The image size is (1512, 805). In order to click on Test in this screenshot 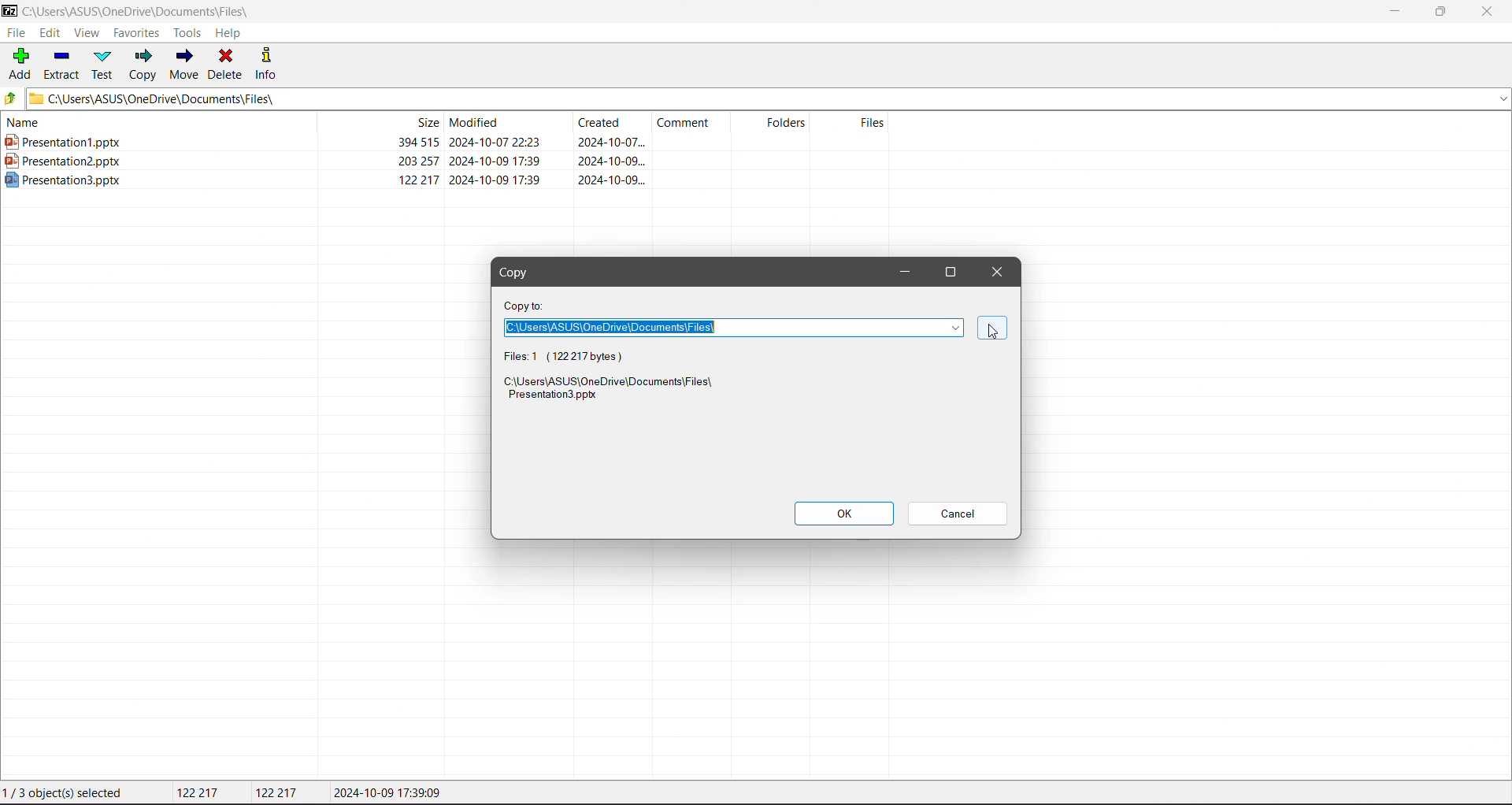, I will do `click(104, 65)`.